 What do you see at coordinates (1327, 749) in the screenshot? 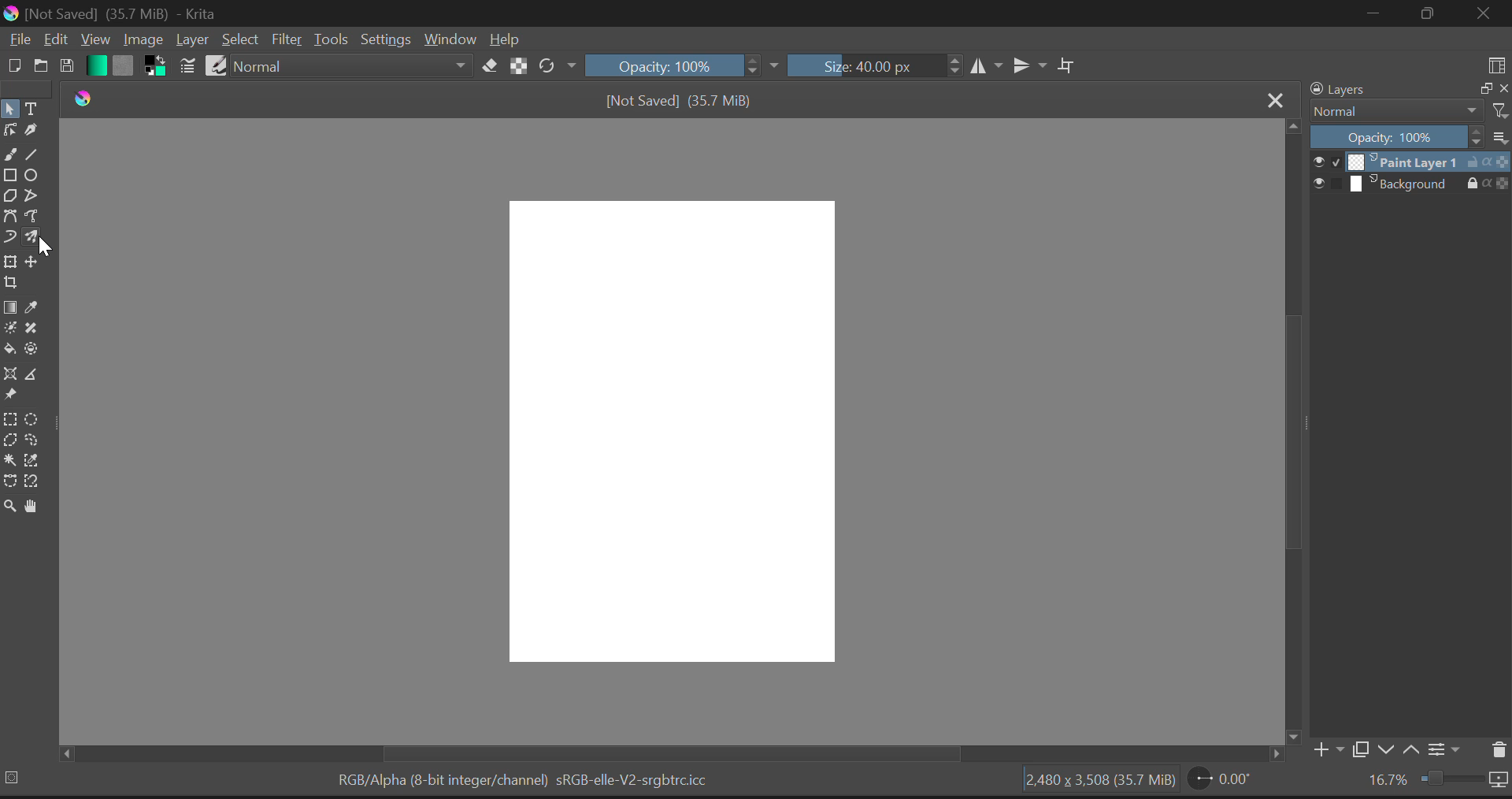
I see `Add Layer` at bounding box center [1327, 749].